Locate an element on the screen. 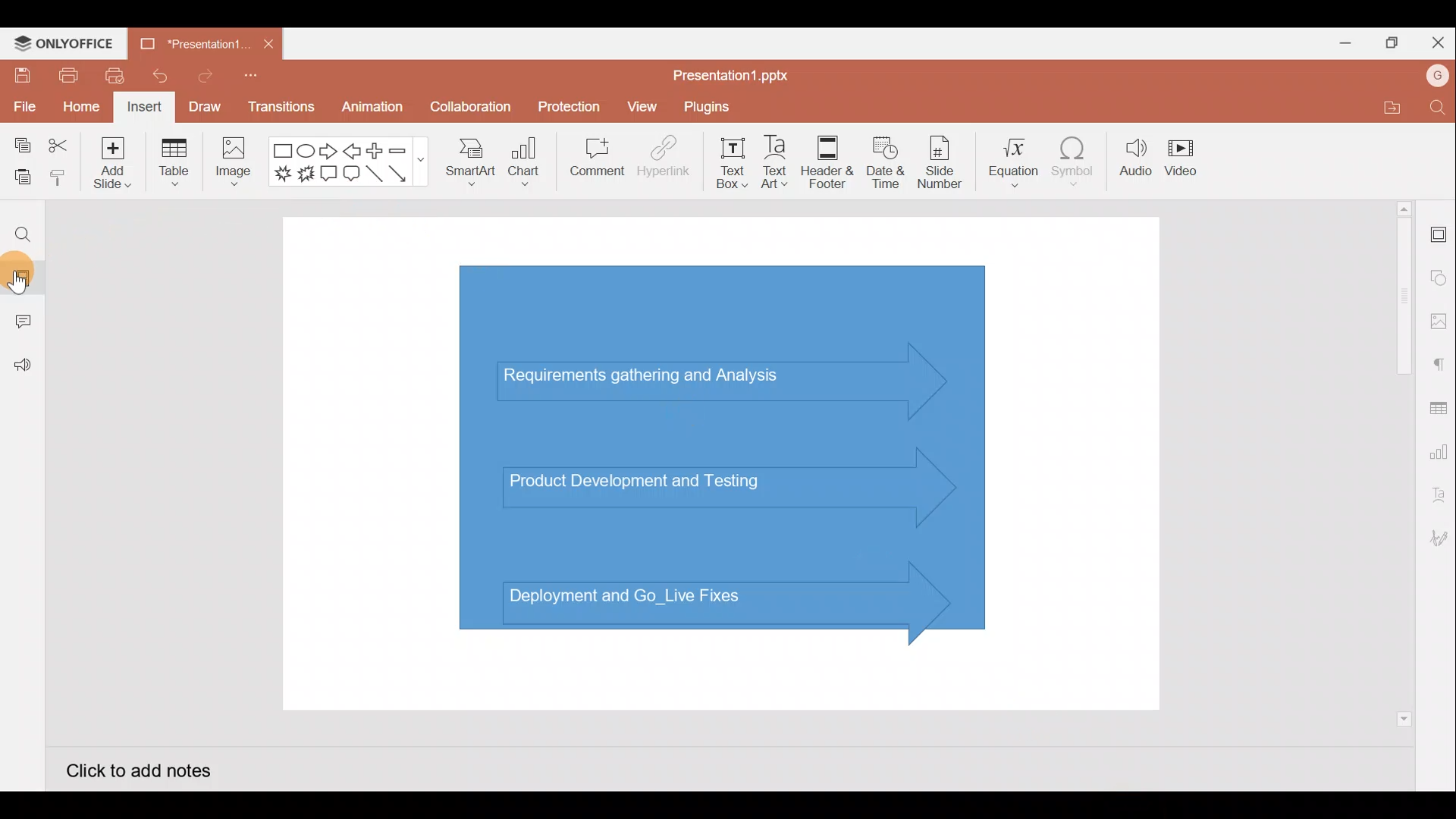 This screenshot has width=1456, height=819. Rounded Rectangular callout is located at coordinates (351, 176).